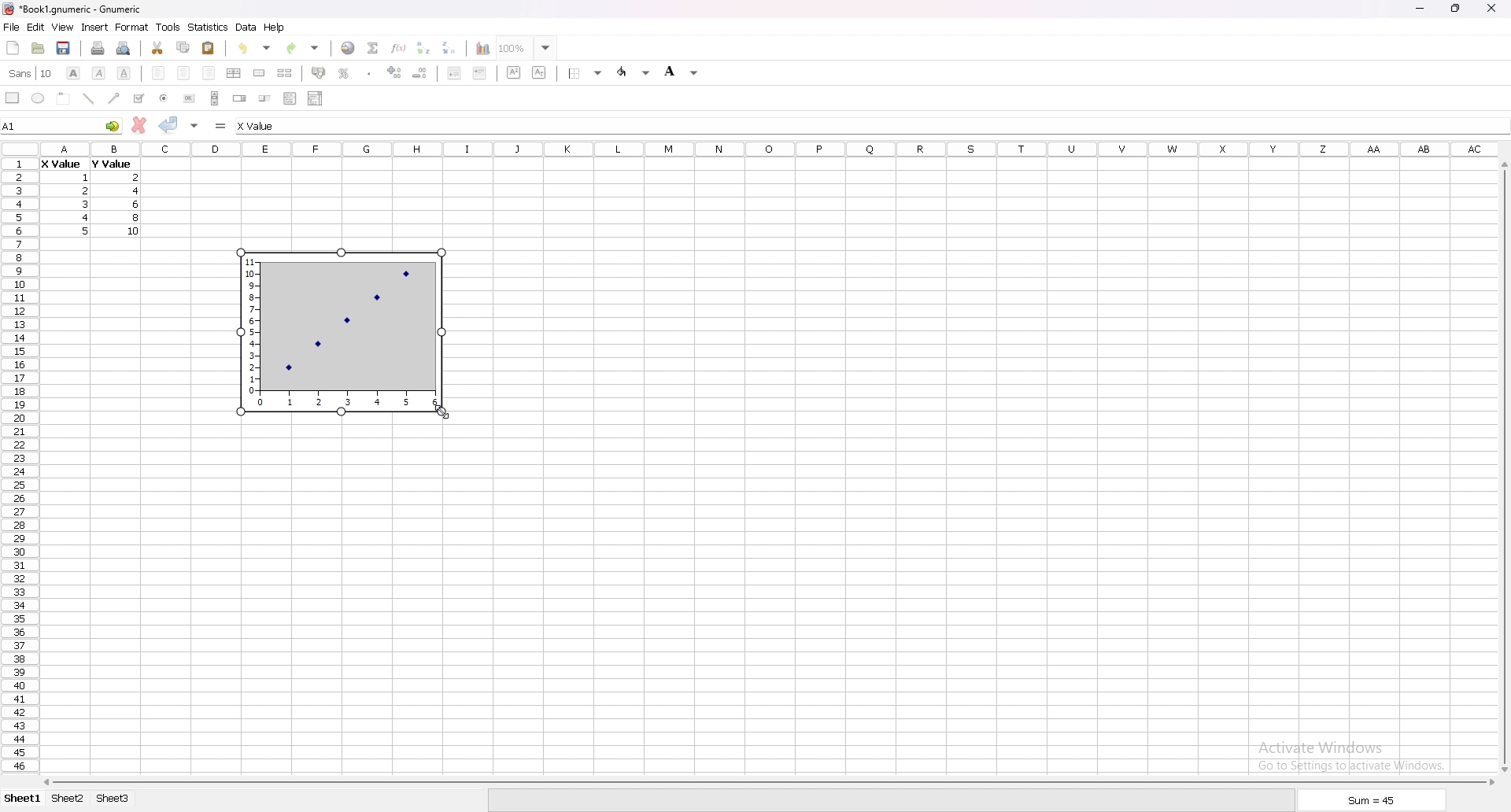 This screenshot has width=1511, height=812. Describe the element at coordinates (136, 204) in the screenshot. I see `value` at that location.